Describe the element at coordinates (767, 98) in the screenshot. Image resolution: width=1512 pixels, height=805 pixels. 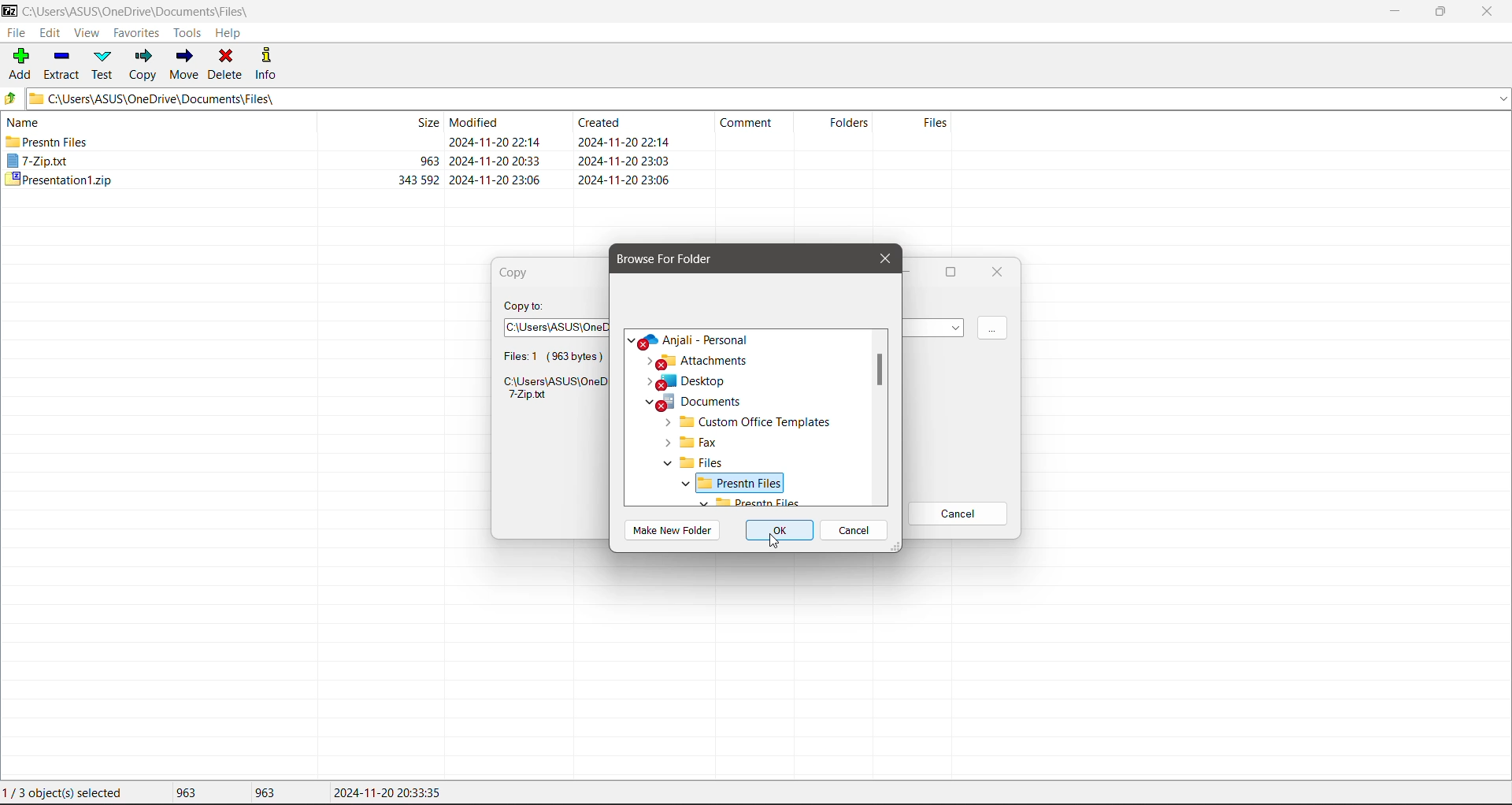
I see `Current Folder Path` at that location.